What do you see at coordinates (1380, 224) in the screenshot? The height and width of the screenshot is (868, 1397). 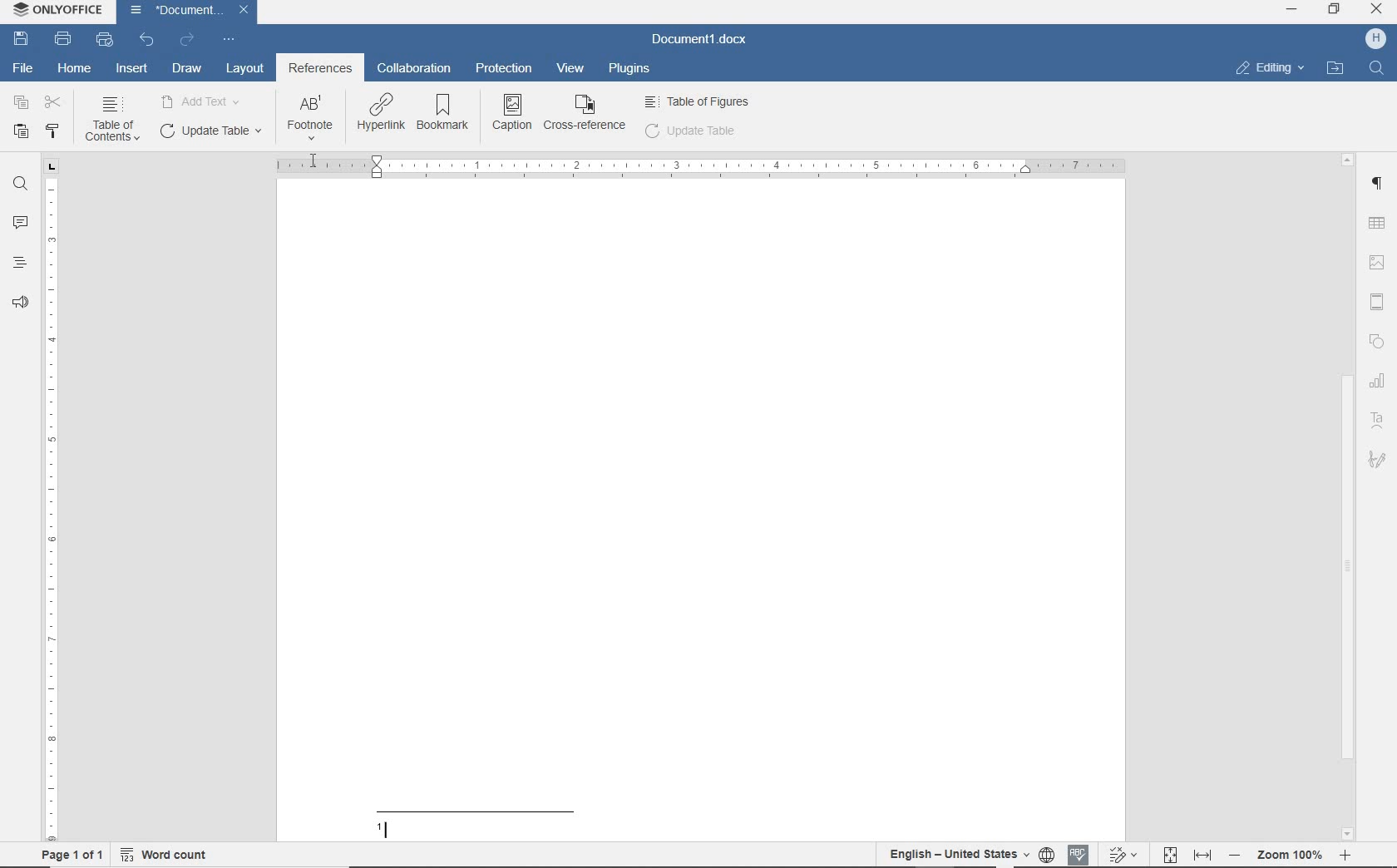 I see `TABLE` at bounding box center [1380, 224].